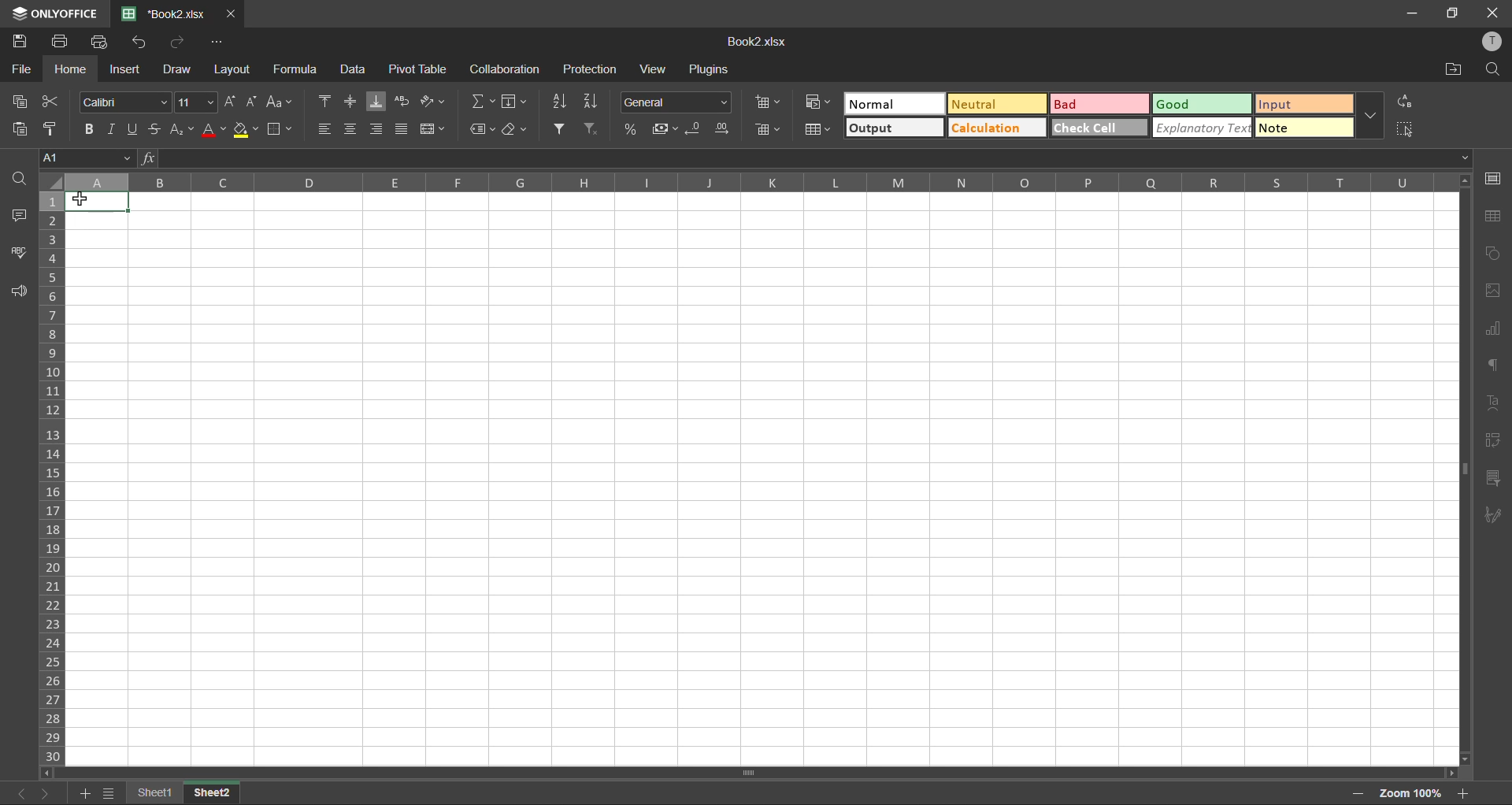  Describe the element at coordinates (486, 101) in the screenshot. I see `summation` at that location.